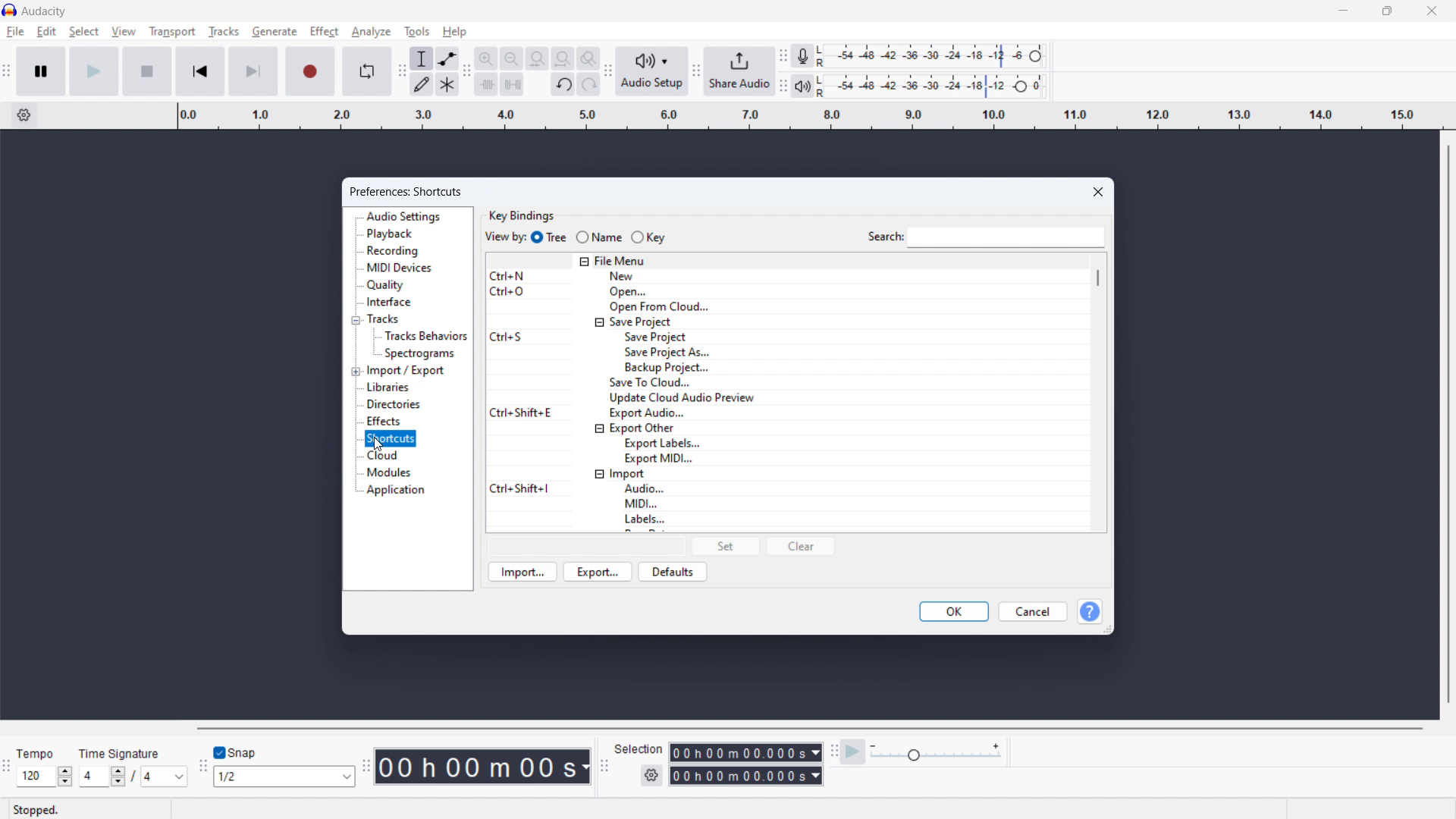 The image size is (1456, 819). What do you see at coordinates (447, 84) in the screenshot?
I see `multi tool` at bounding box center [447, 84].